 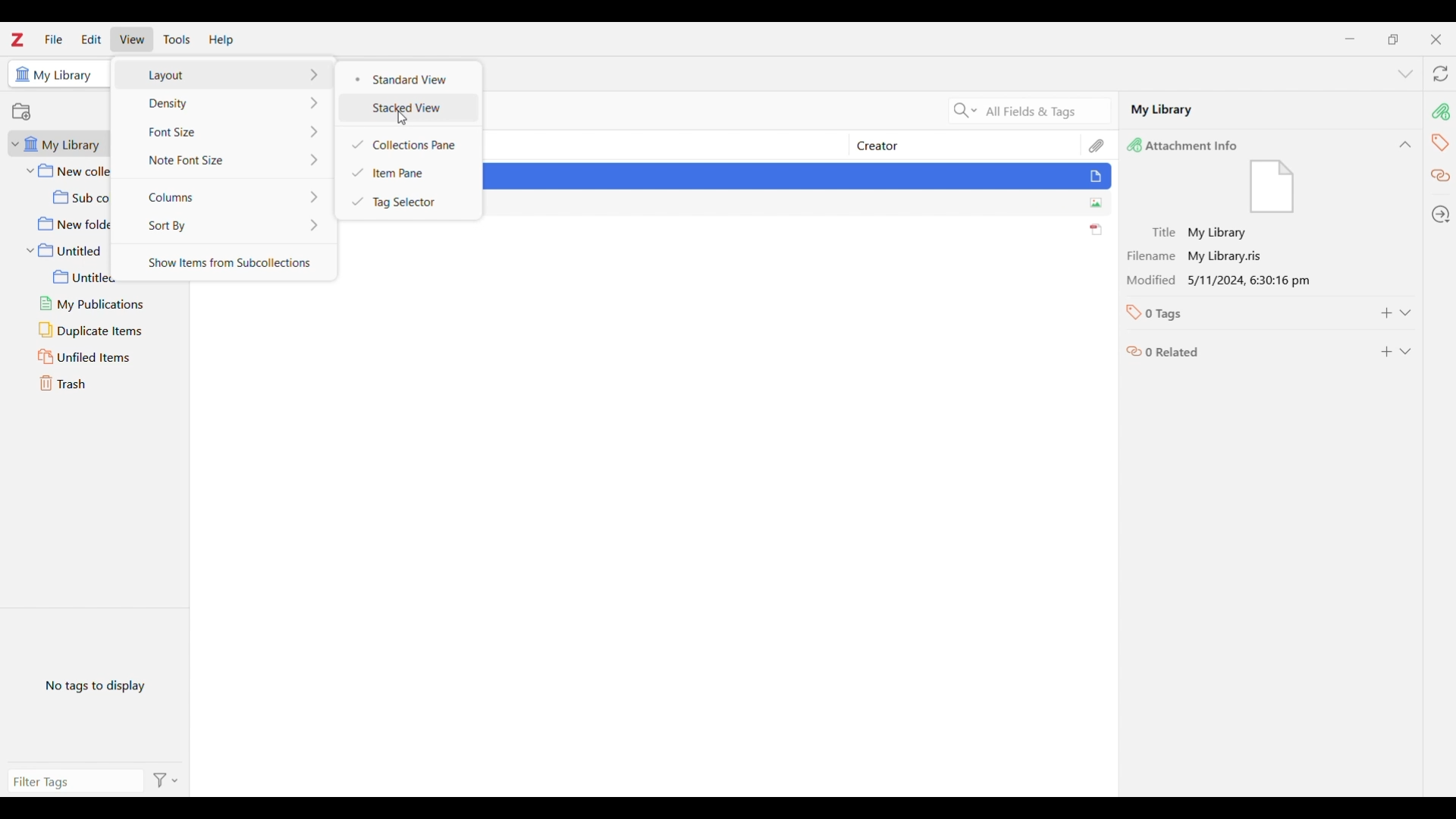 I want to click on Selected file, so click(x=1270, y=109).